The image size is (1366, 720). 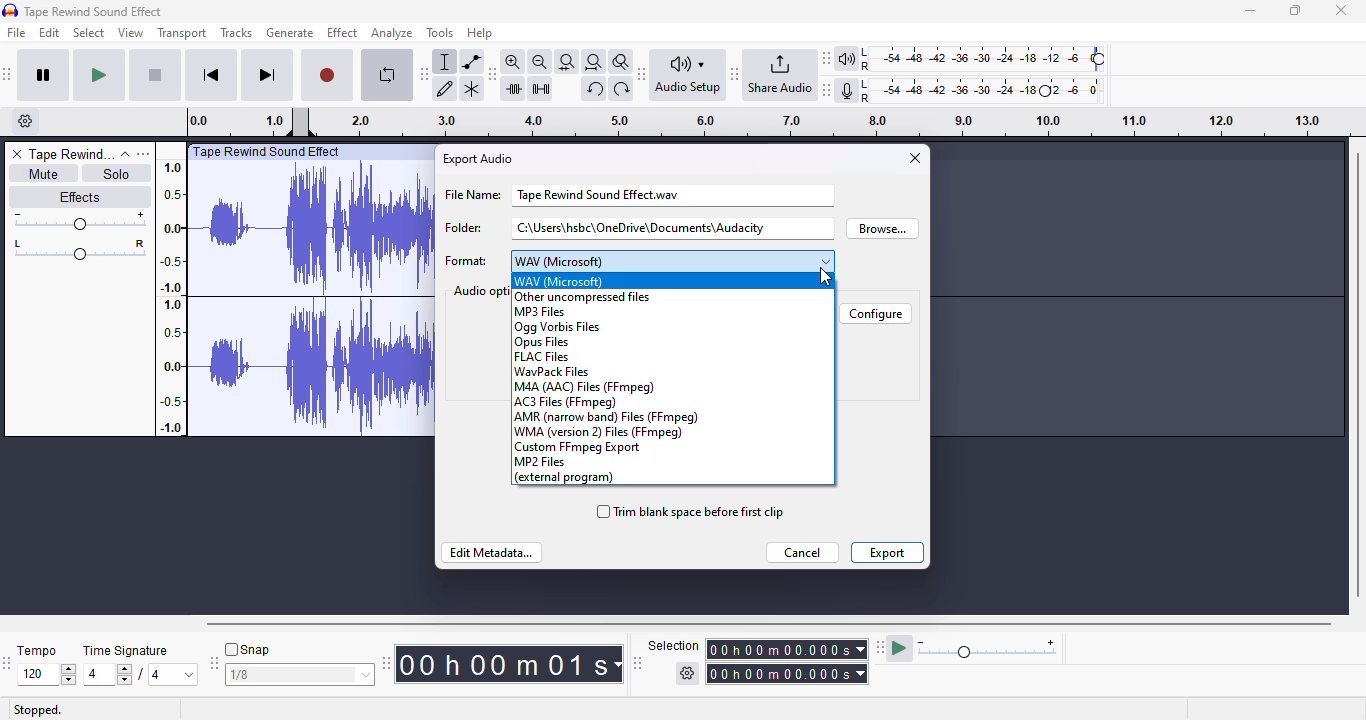 I want to click on AMR (narrow band) files (FFmpeg), so click(x=608, y=418).